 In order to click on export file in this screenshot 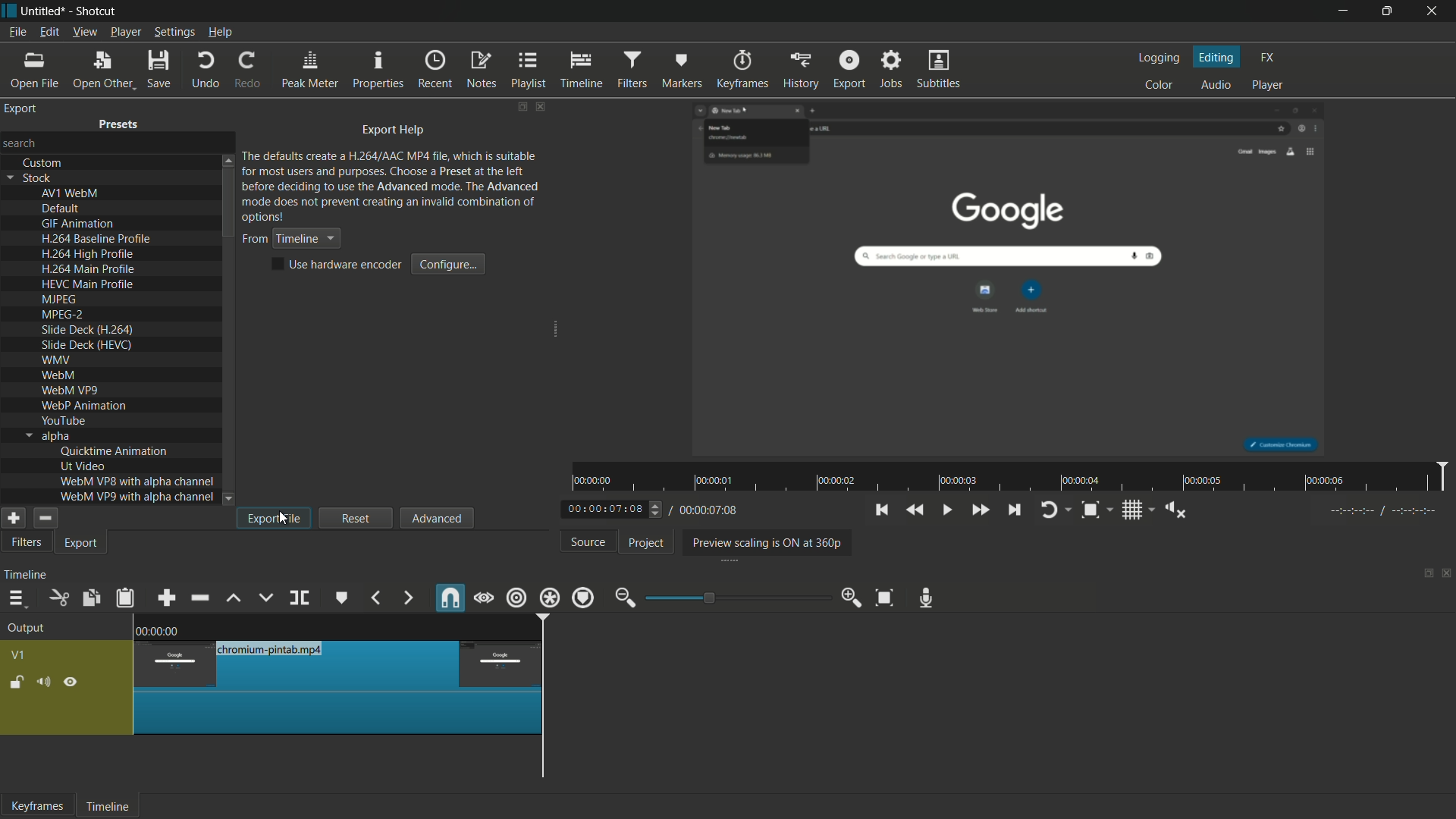, I will do `click(275, 518)`.